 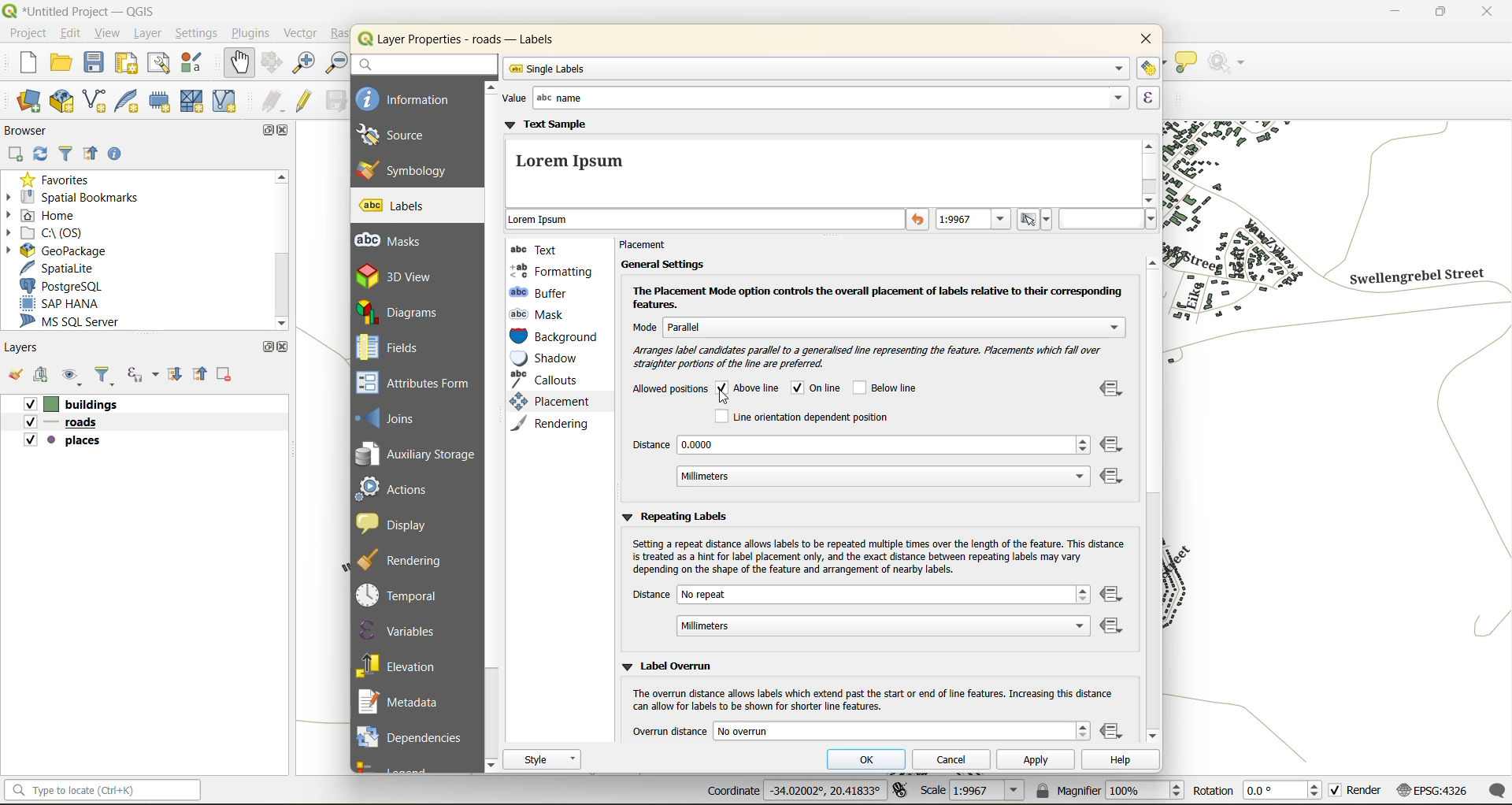 I want to click on line orientation dependent position, so click(x=800, y=417).